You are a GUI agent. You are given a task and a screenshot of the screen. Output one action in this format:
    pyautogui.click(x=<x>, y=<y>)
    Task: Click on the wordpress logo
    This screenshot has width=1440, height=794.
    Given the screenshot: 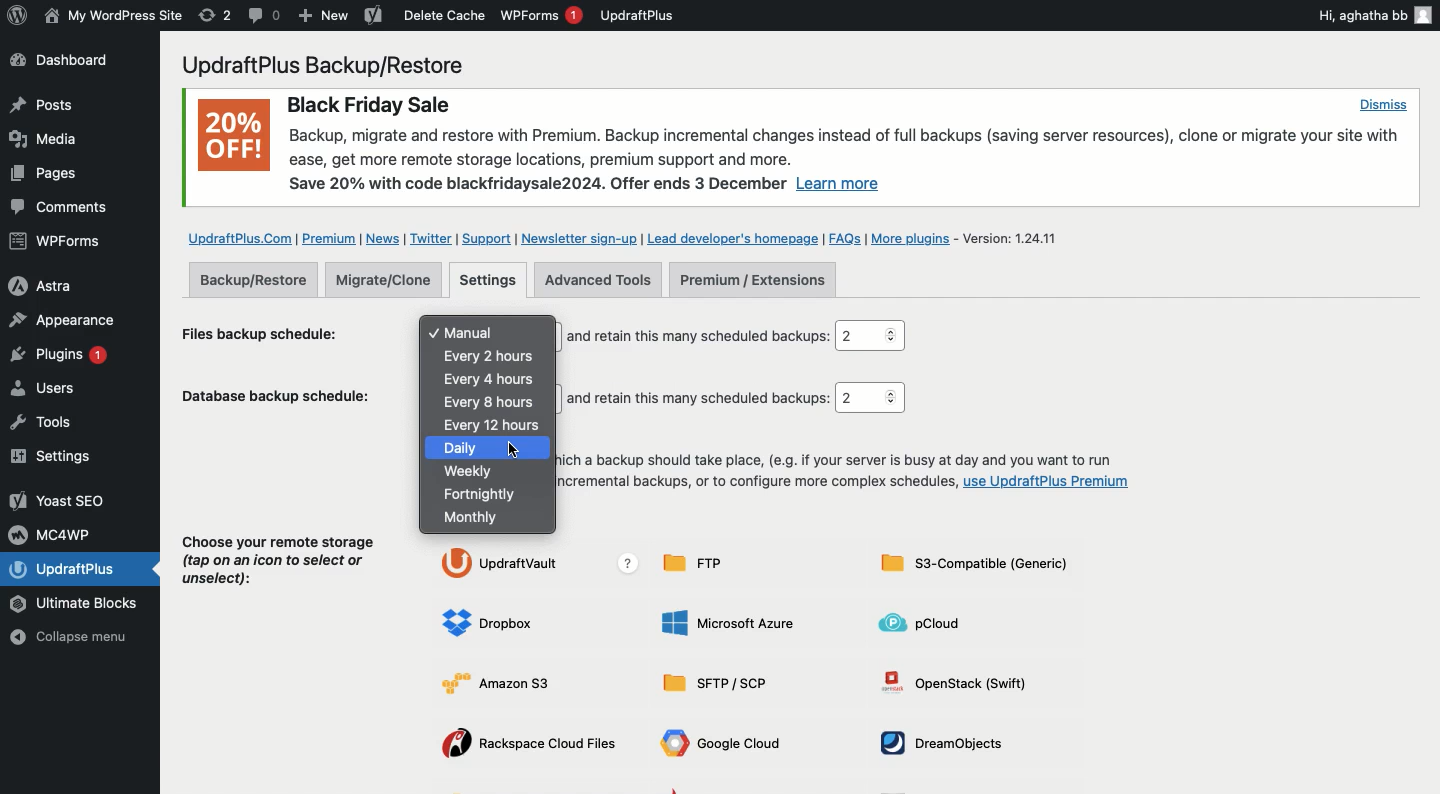 What is the action you would take?
    pyautogui.click(x=17, y=15)
    